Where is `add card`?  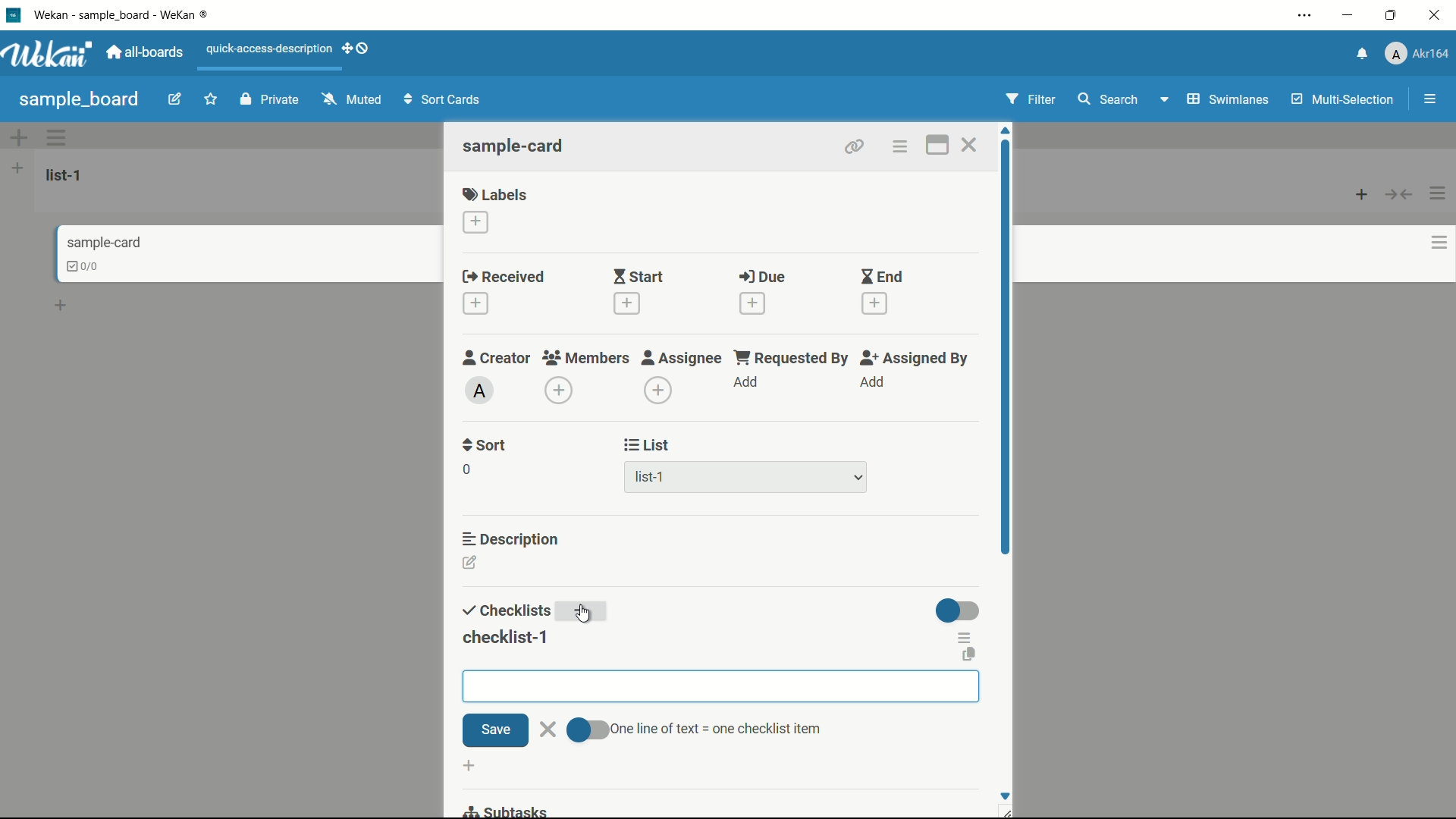
add card is located at coordinates (1362, 193).